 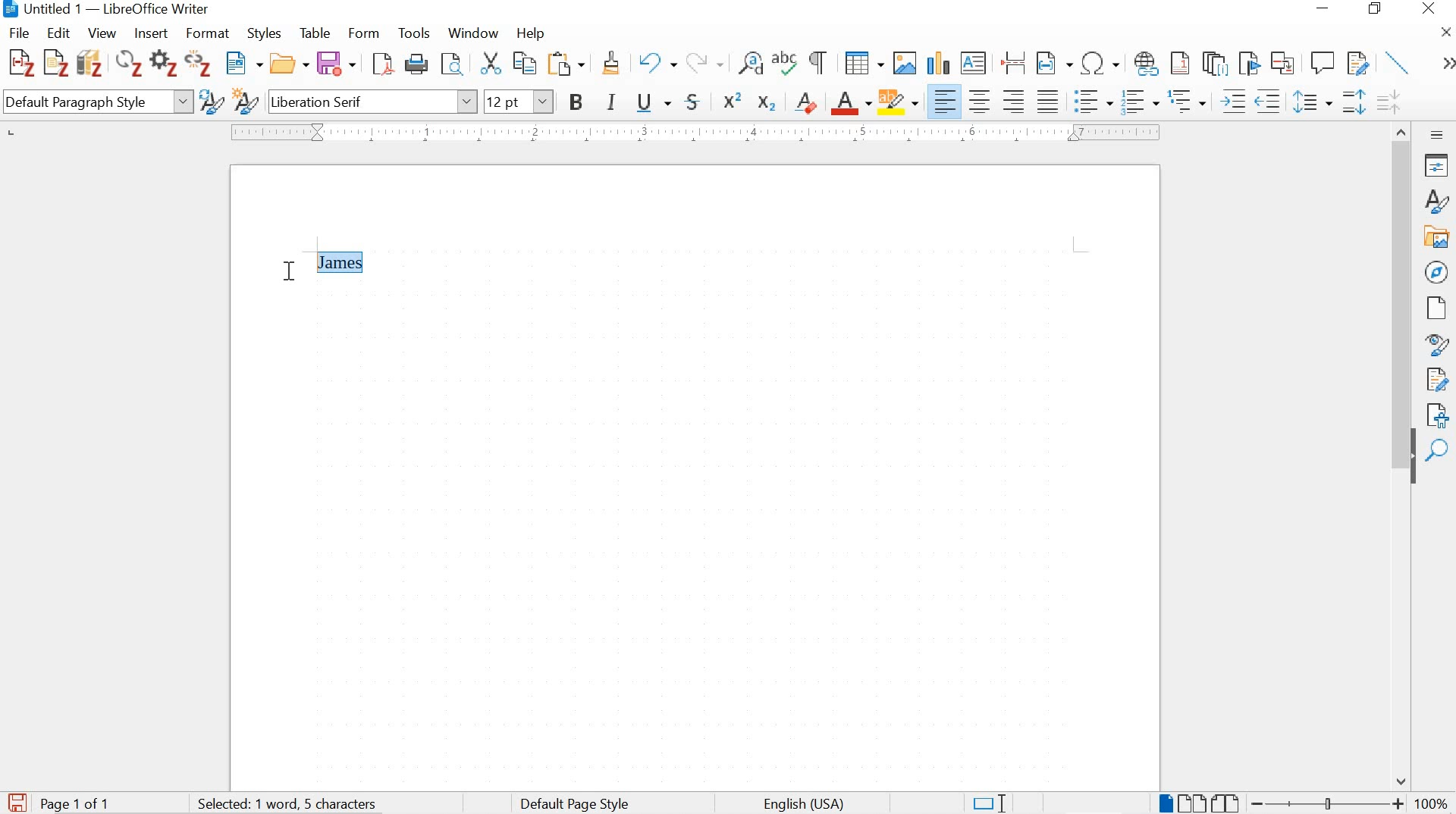 I want to click on find, so click(x=1439, y=451).